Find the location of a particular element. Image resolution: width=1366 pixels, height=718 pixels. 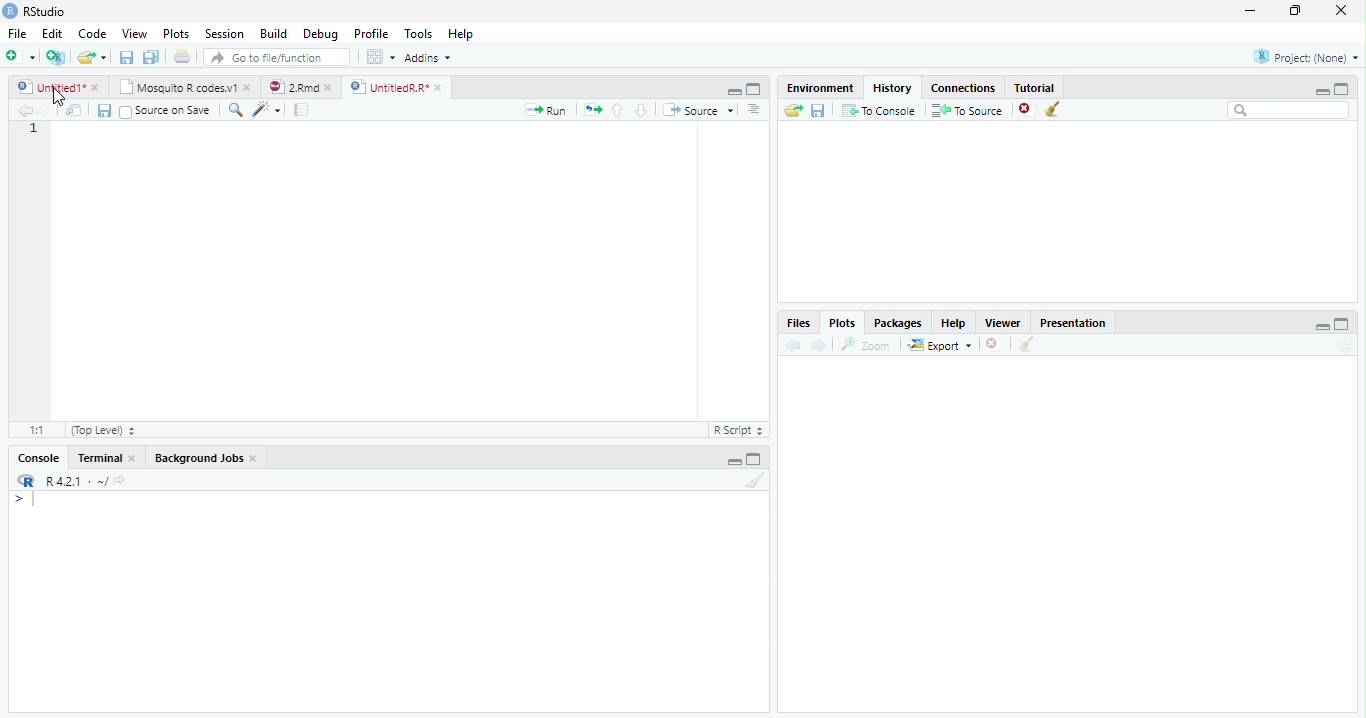

Load Workspace is located at coordinates (794, 111).